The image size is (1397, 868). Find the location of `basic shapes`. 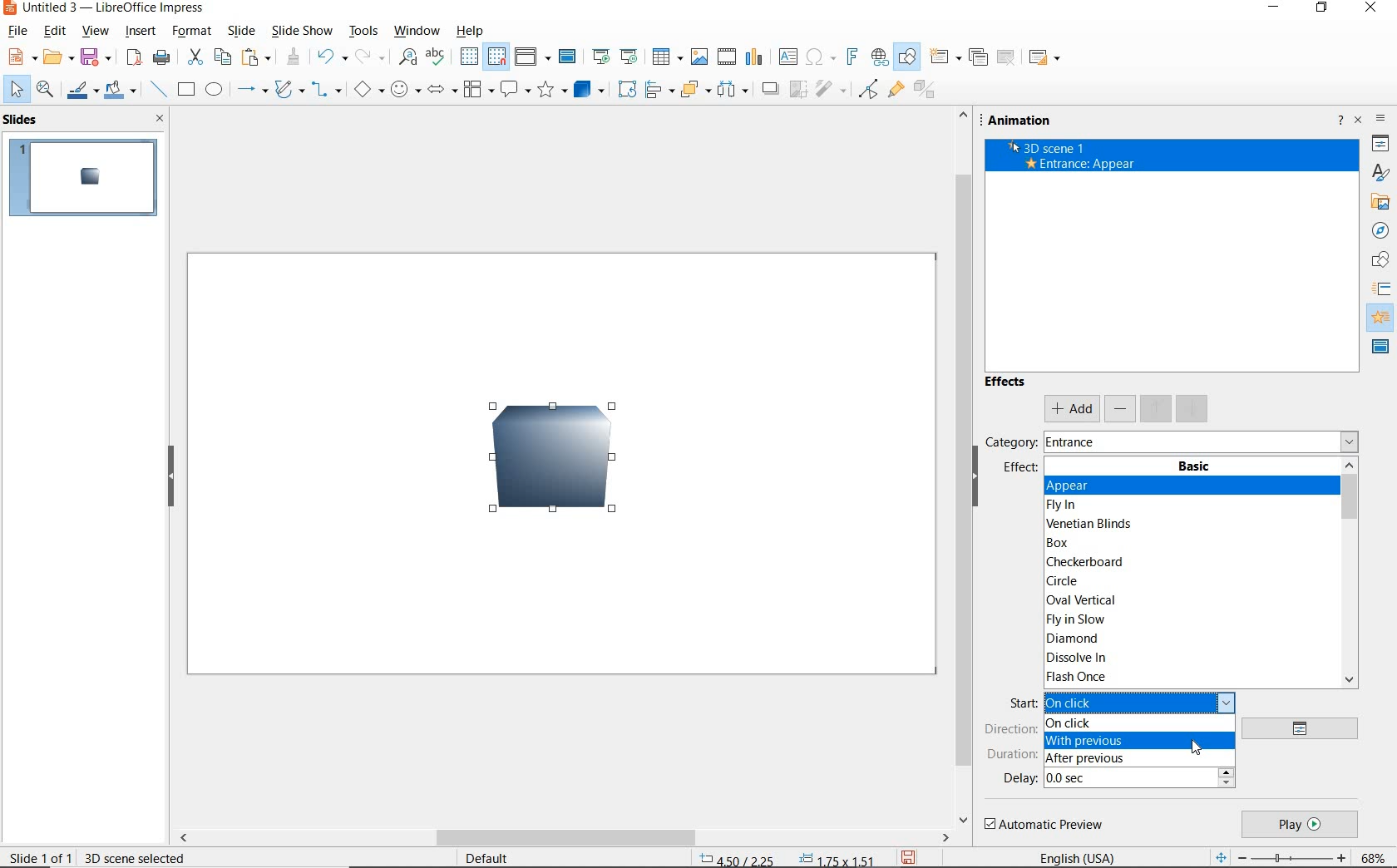

basic shapes is located at coordinates (367, 91).